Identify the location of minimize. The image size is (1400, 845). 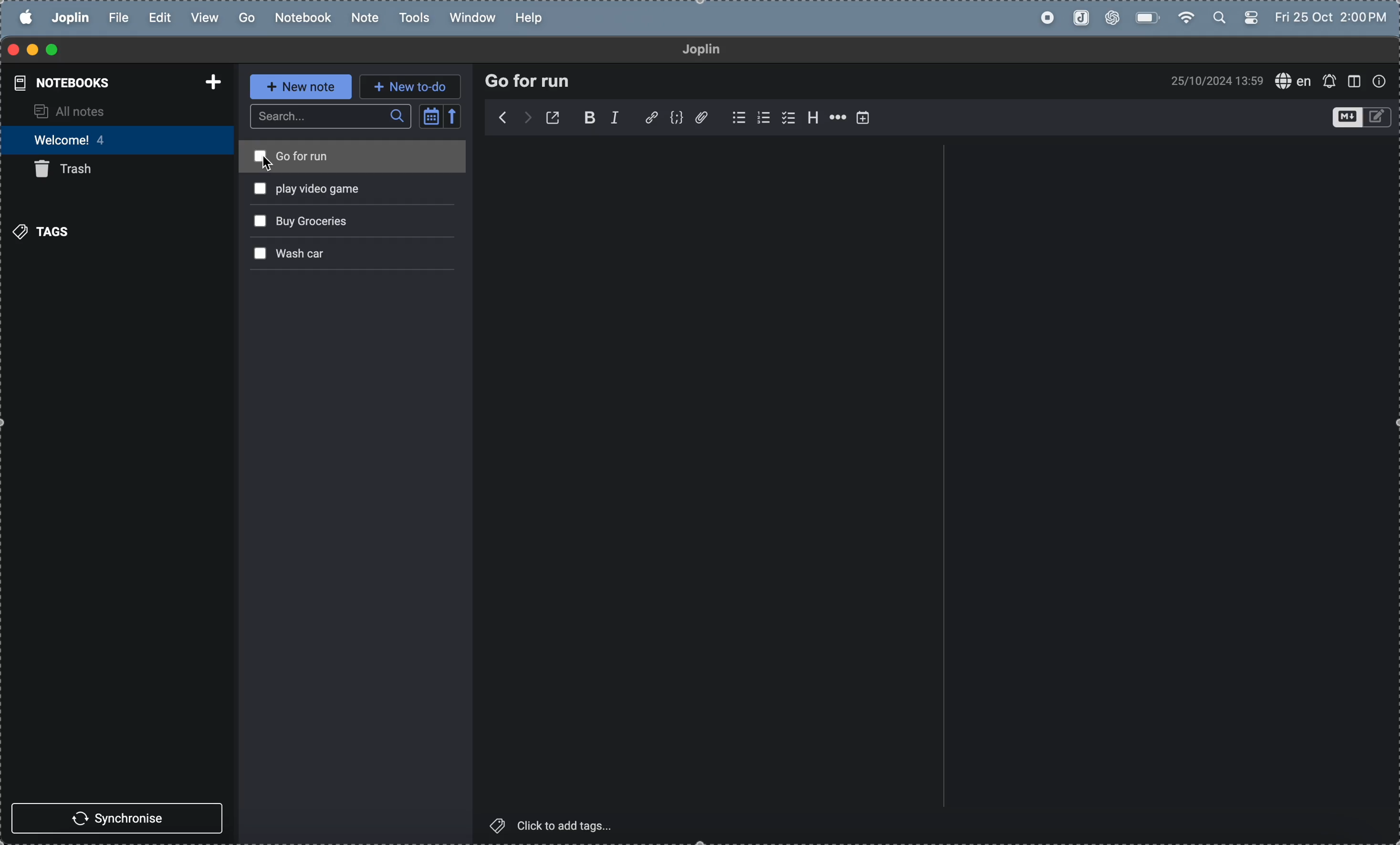
(28, 48).